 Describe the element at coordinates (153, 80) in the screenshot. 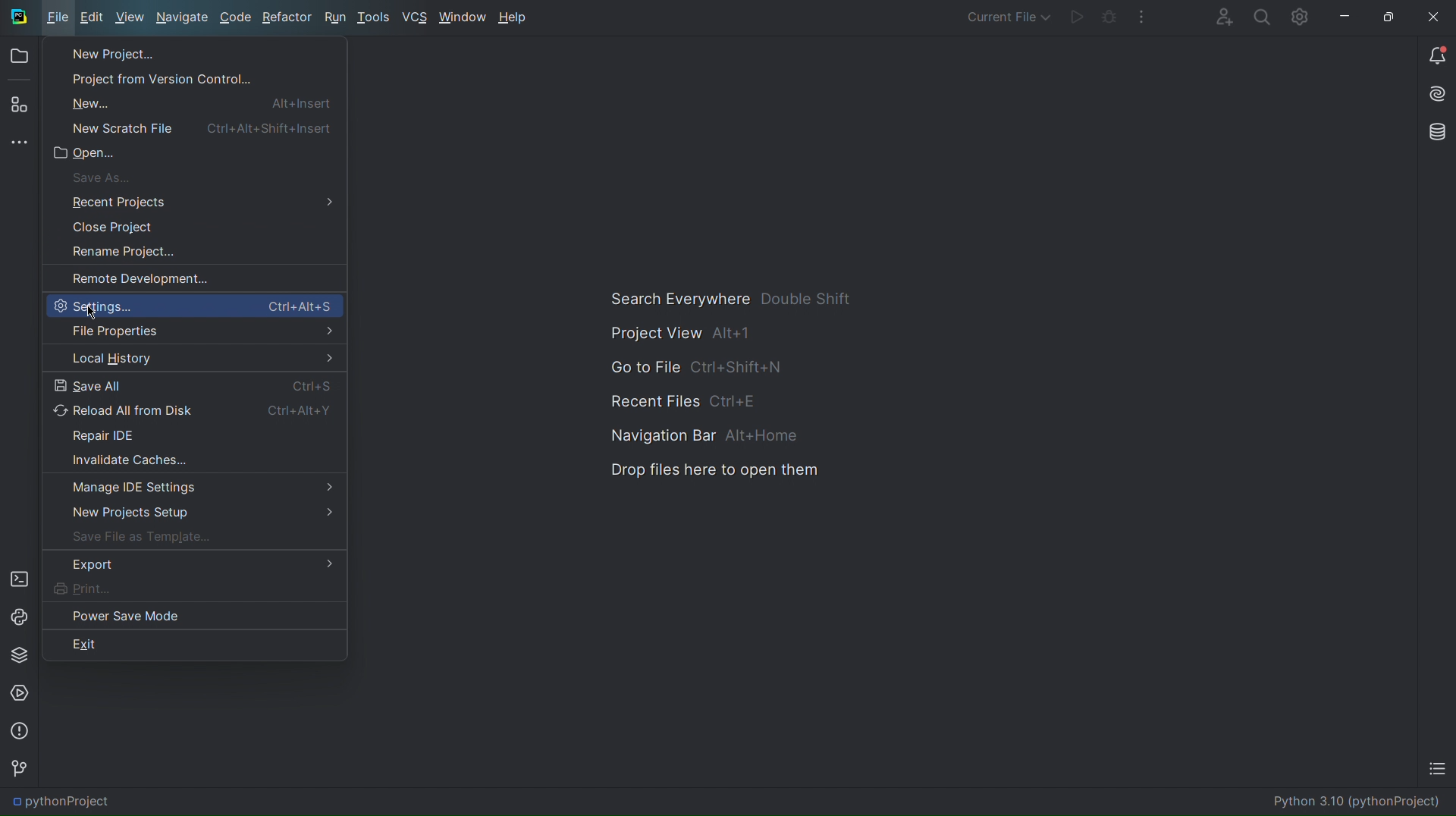

I see `Project from Version Control` at that location.